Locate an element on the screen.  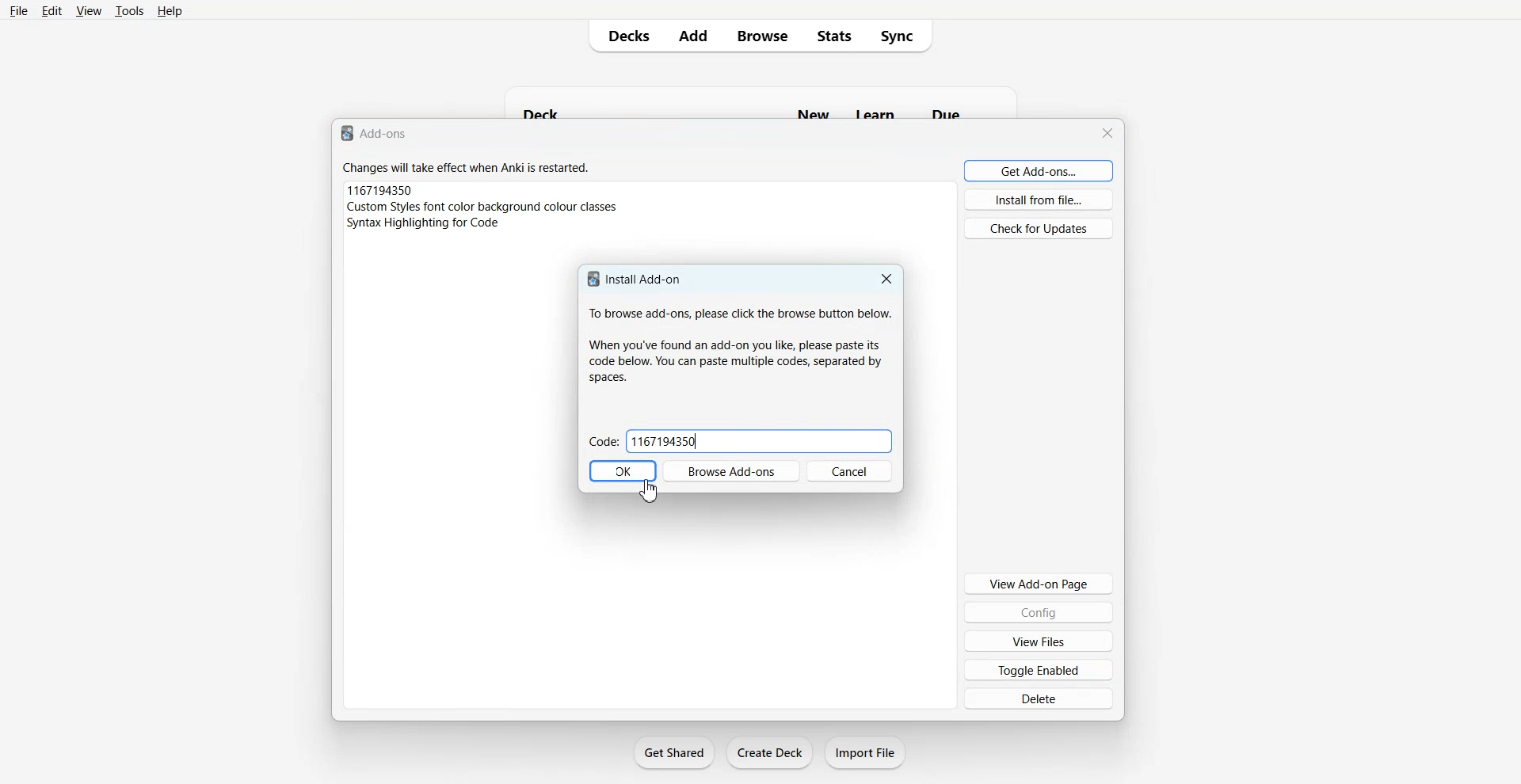
Help is located at coordinates (169, 11).